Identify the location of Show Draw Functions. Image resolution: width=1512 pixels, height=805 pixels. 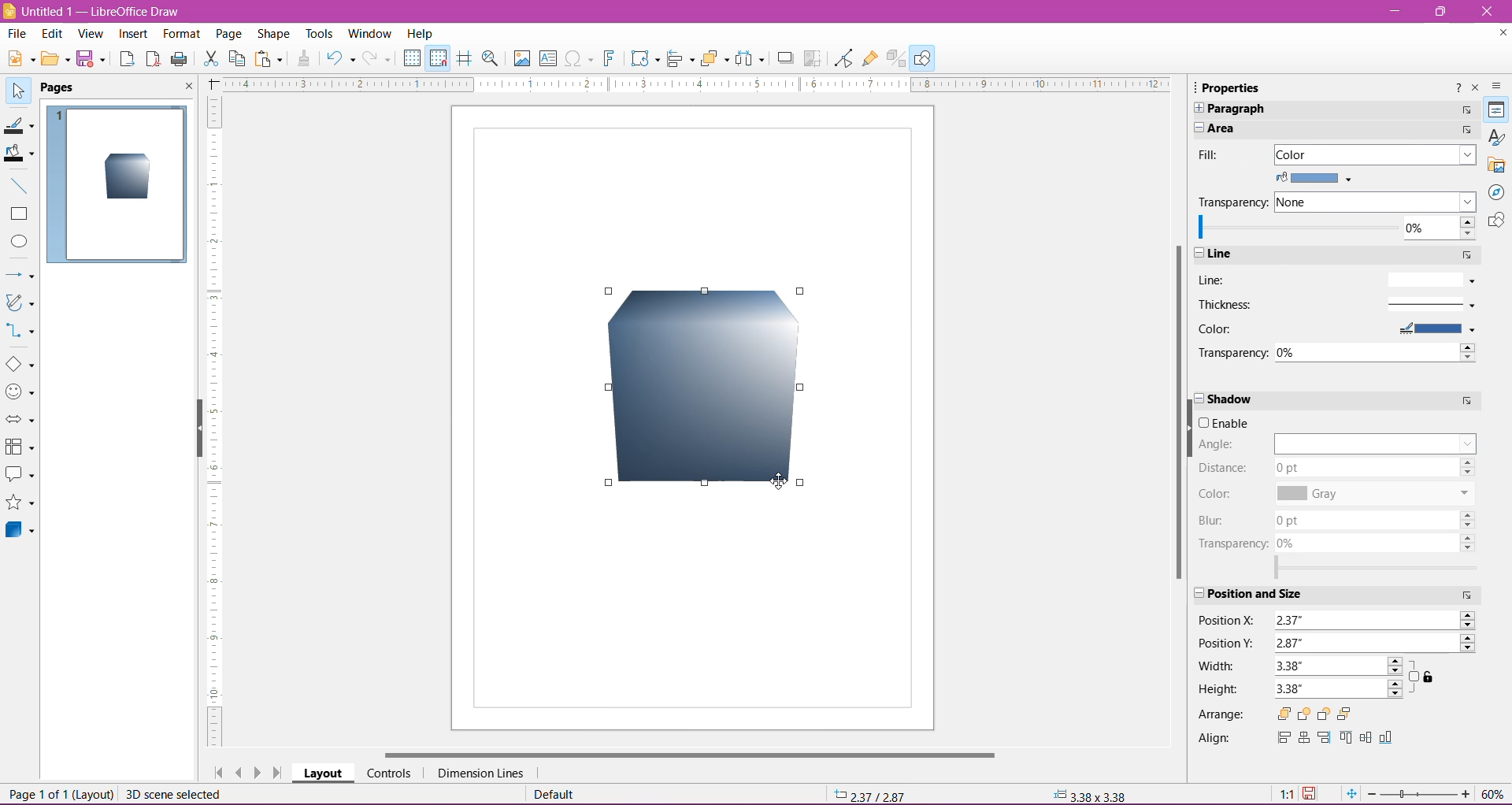
(922, 57).